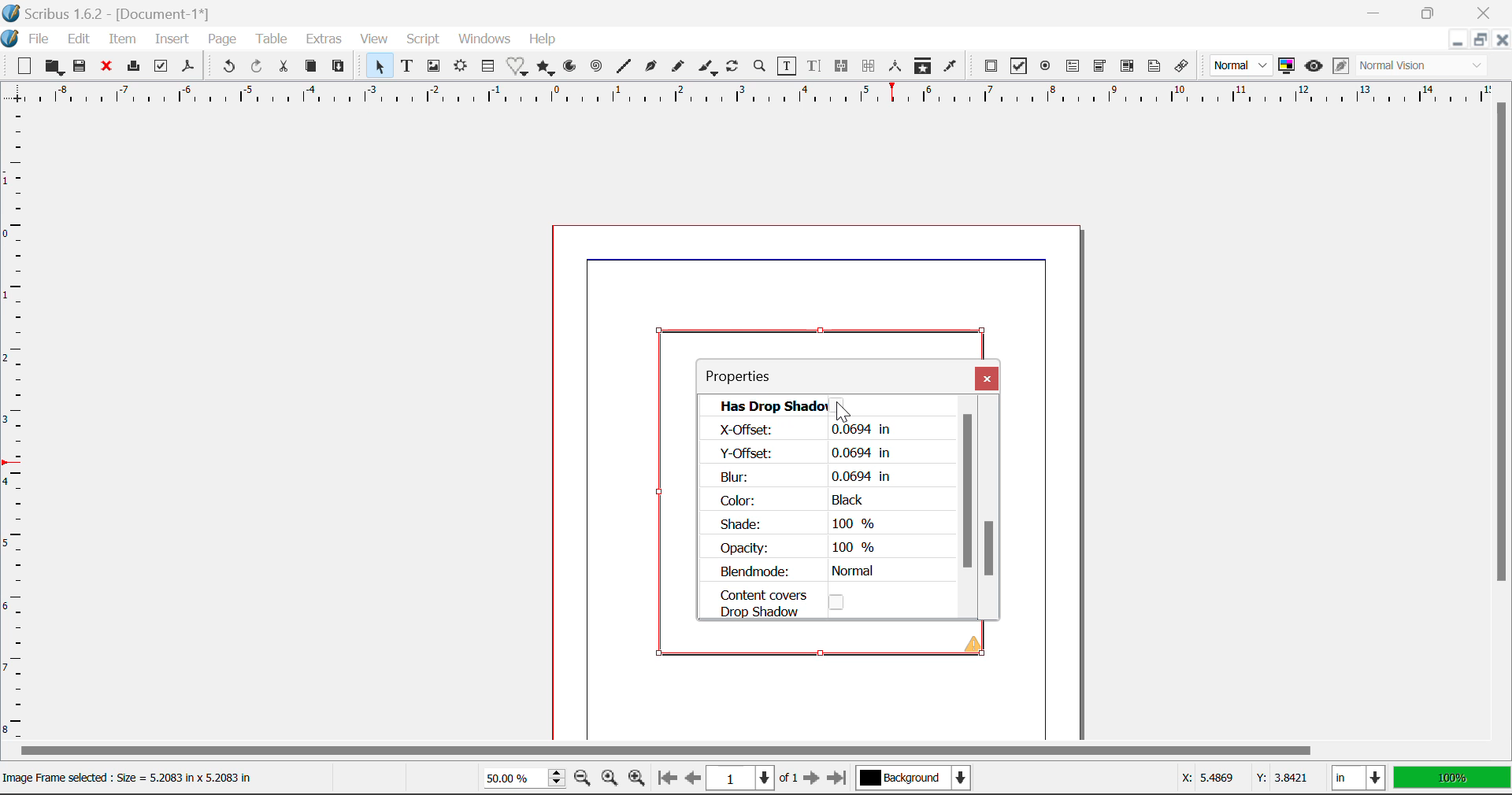 The image size is (1512, 795). Describe the element at coordinates (1043, 68) in the screenshot. I see `Pdf Radio Button` at that location.